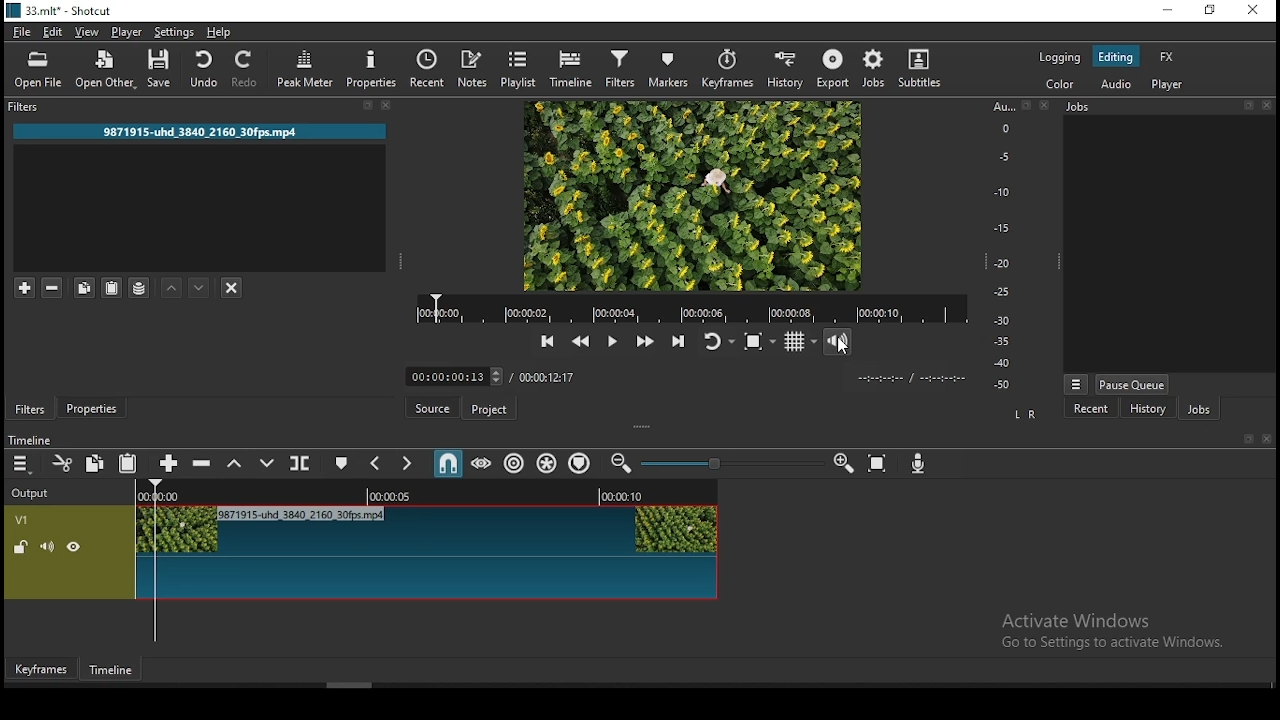  Describe the element at coordinates (579, 341) in the screenshot. I see `play quickly backward` at that location.